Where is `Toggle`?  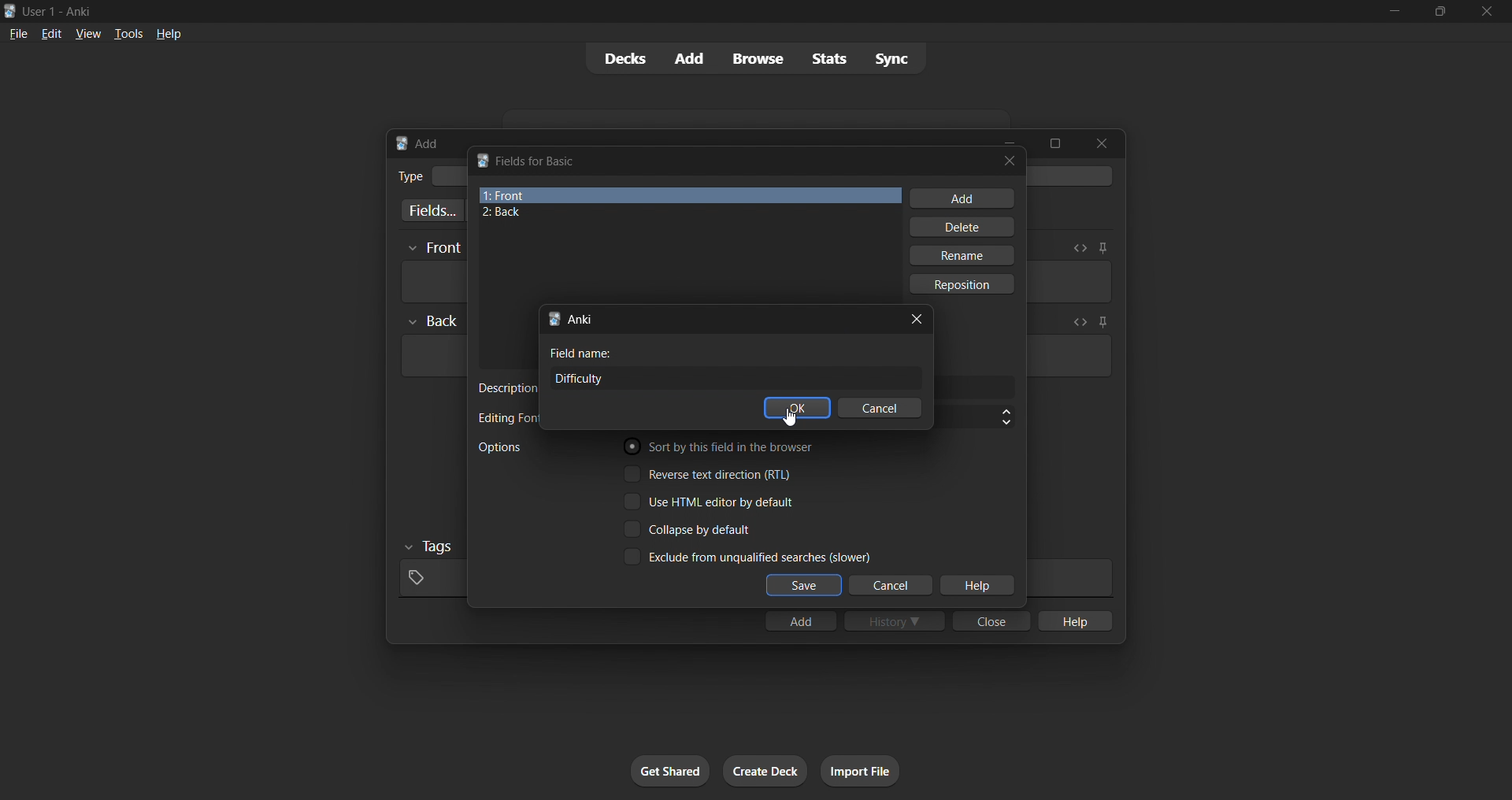 Toggle is located at coordinates (710, 502).